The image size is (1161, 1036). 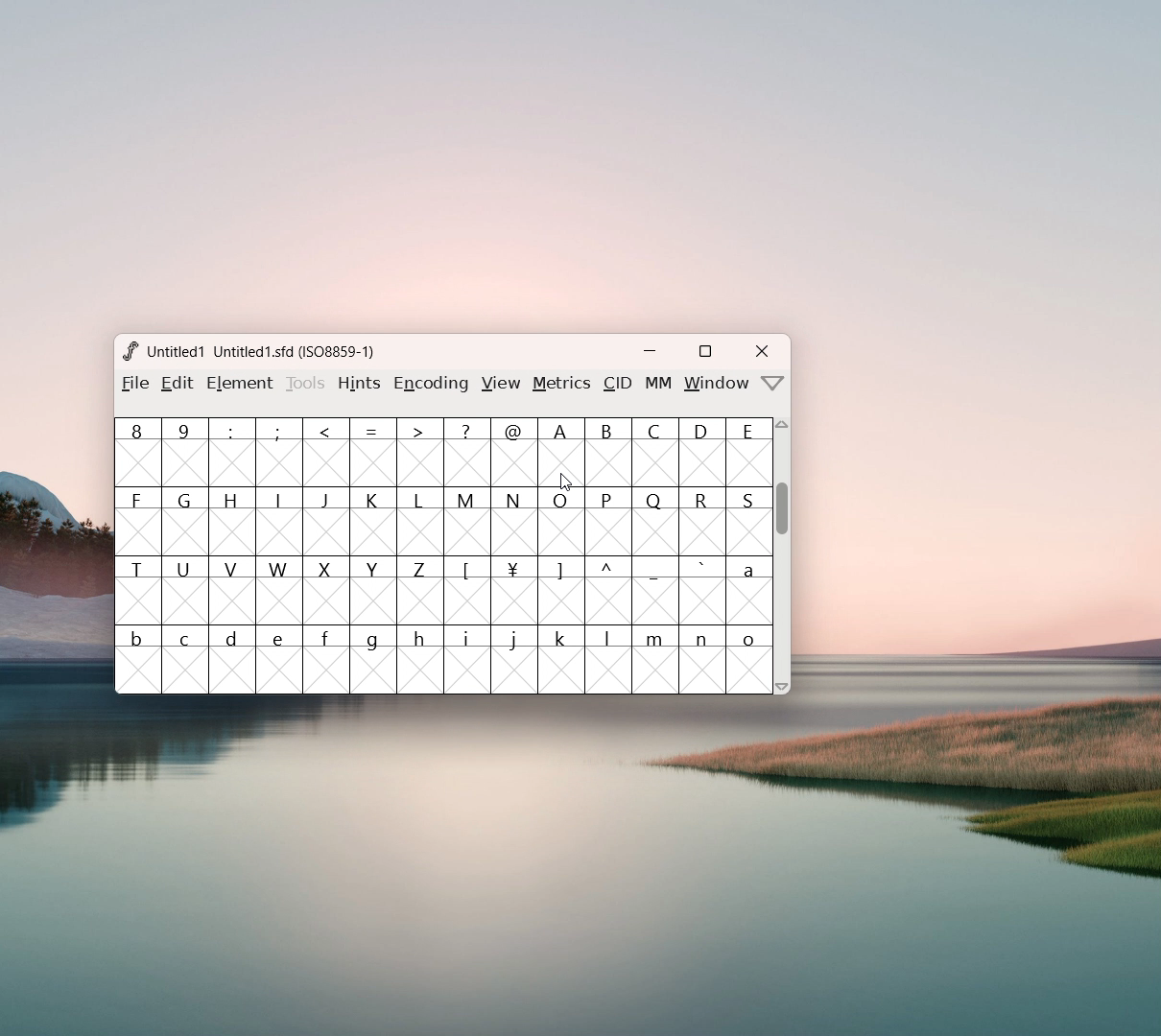 What do you see at coordinates (608, 522) in the screenshot?
I see `P` at bounding box center [608, 522].